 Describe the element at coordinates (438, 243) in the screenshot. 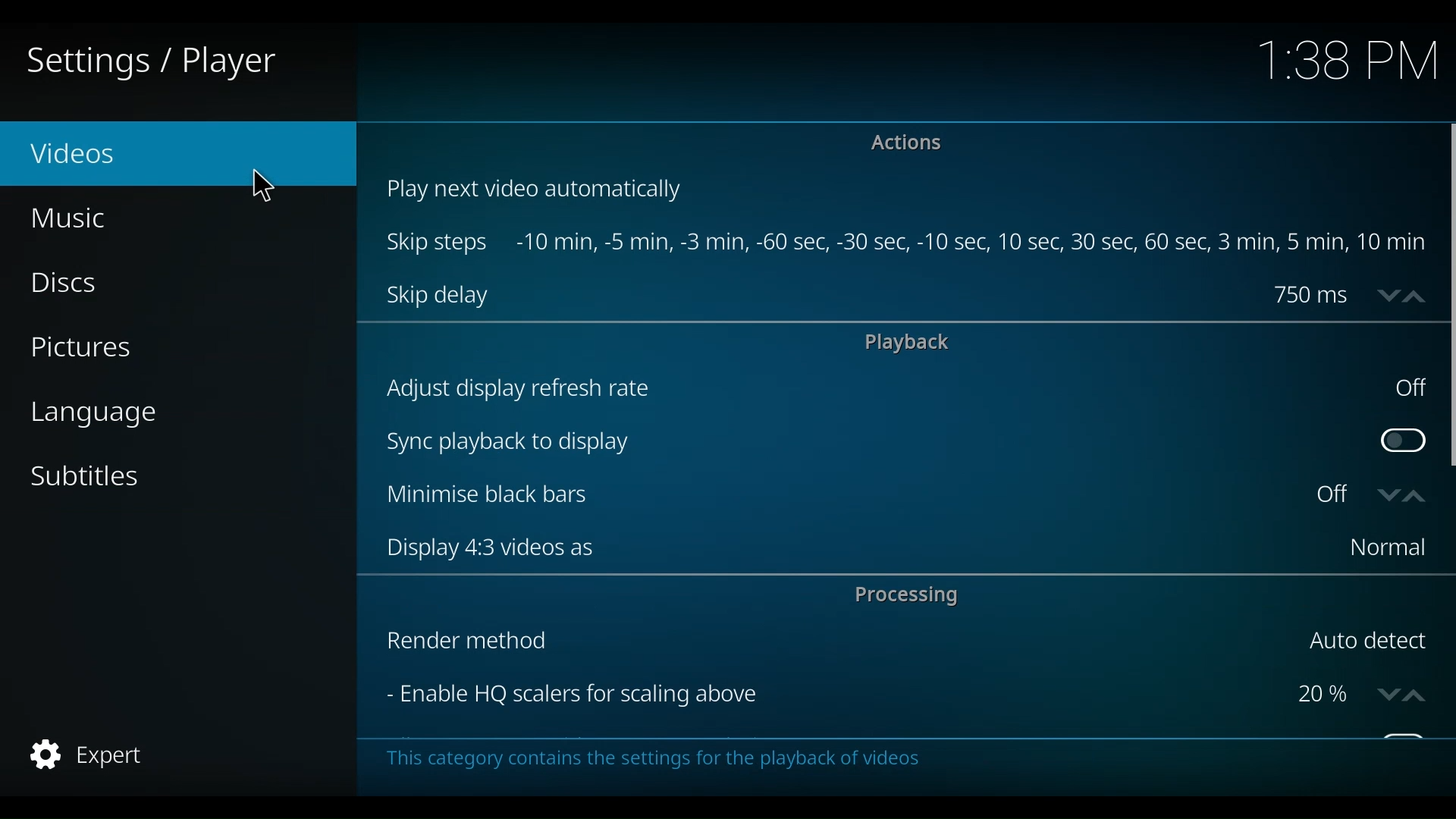

I see `Skip steps` at that location.